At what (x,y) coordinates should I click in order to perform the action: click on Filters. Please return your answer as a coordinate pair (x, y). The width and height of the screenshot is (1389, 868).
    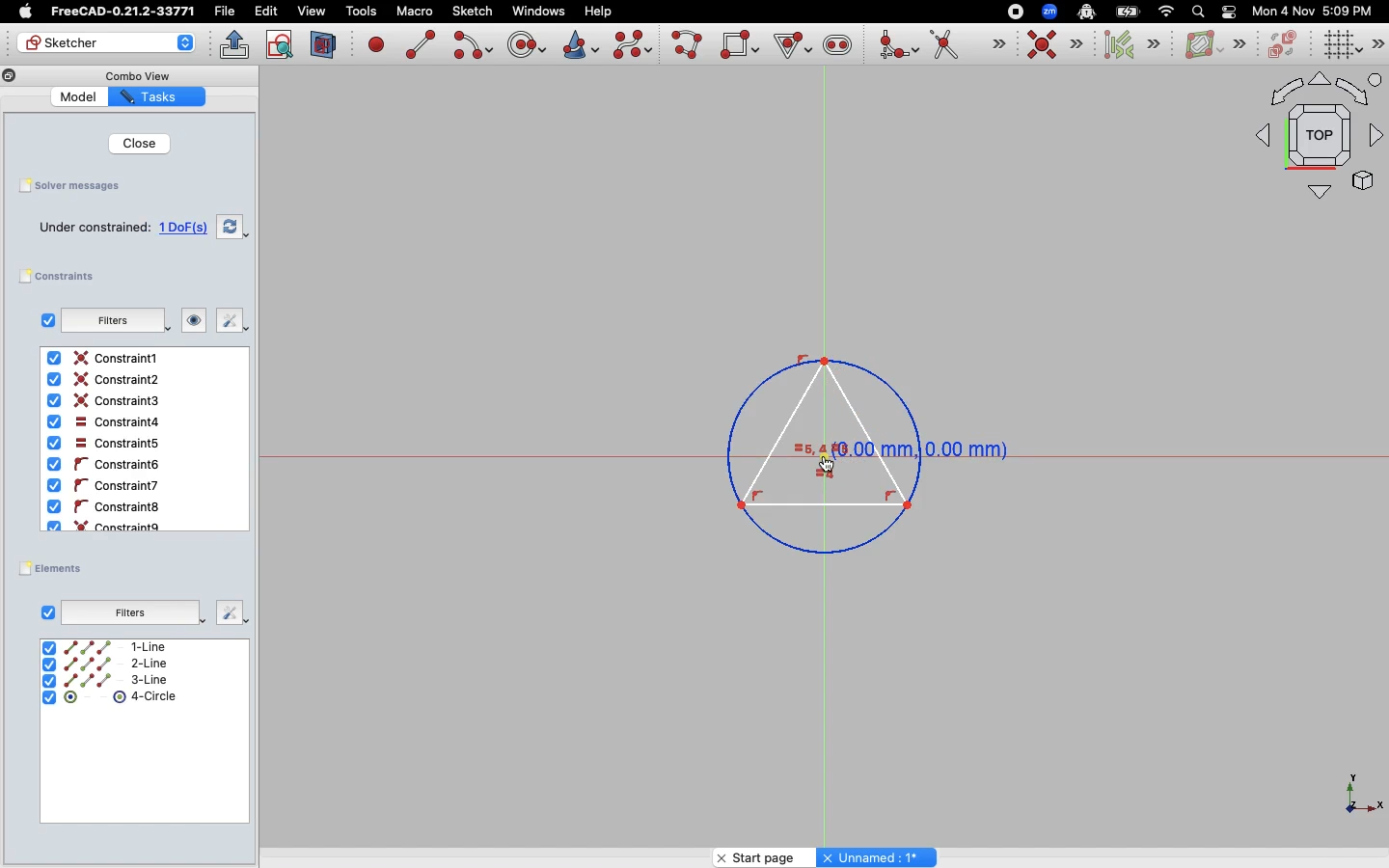
    Looking at the image, I should click on (133, 610).